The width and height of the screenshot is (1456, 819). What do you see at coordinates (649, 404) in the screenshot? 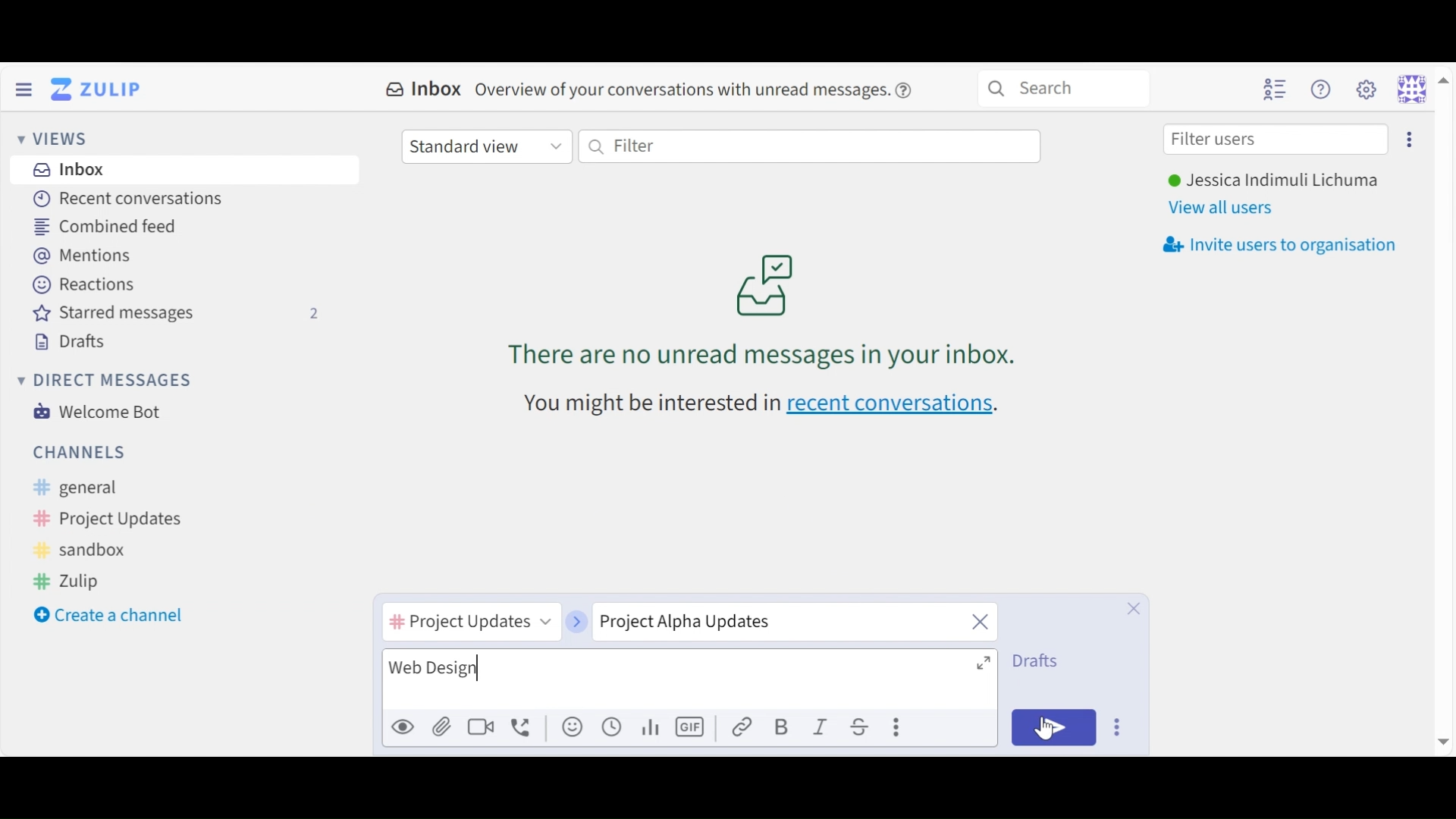
I see `text` at bounding box center [649, 404].